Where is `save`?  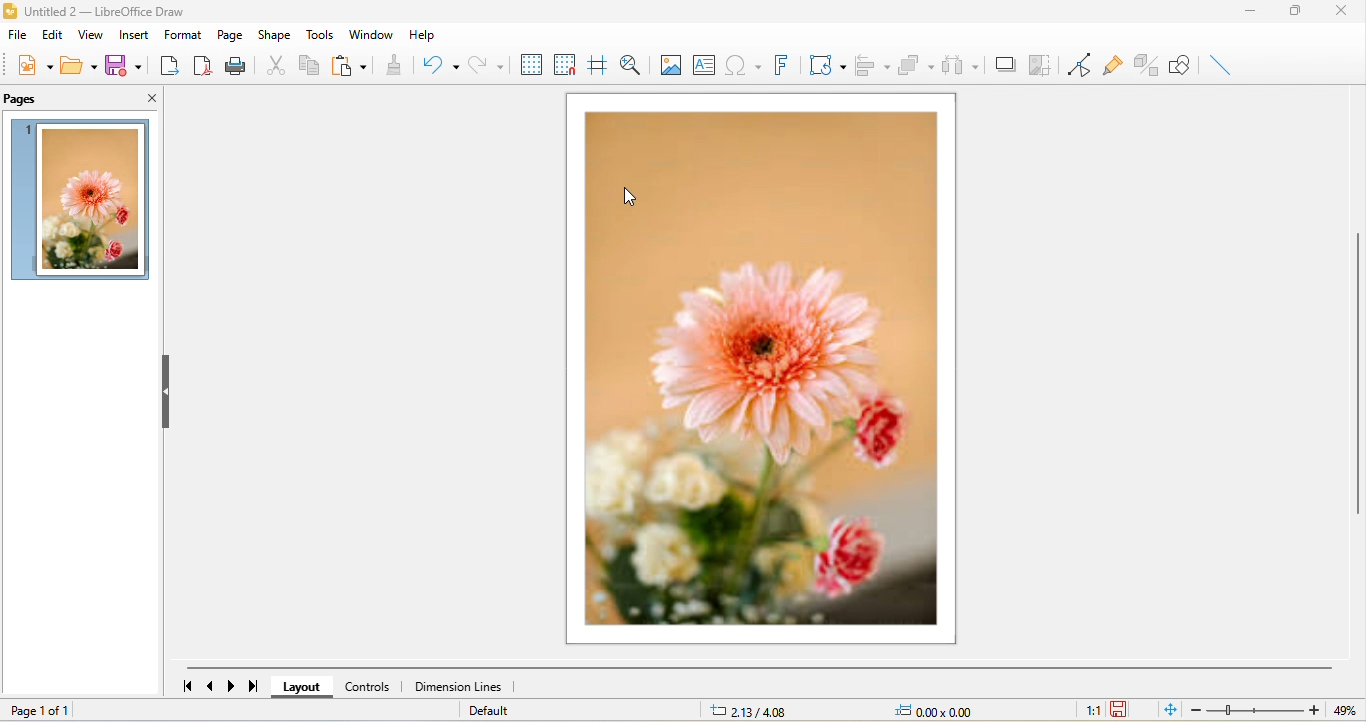 save is located at coordinates (122, 64).